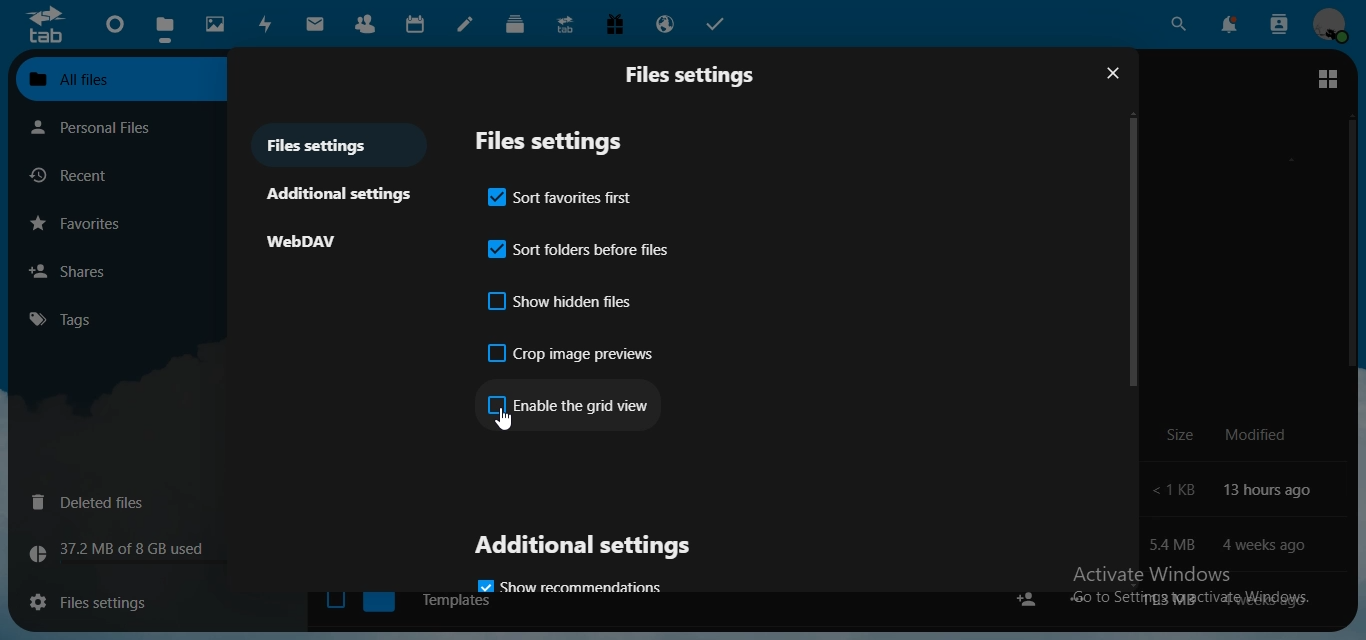 This screenshot has height=640, width=1366. I want to click on show hidden files, so click(563, 303).